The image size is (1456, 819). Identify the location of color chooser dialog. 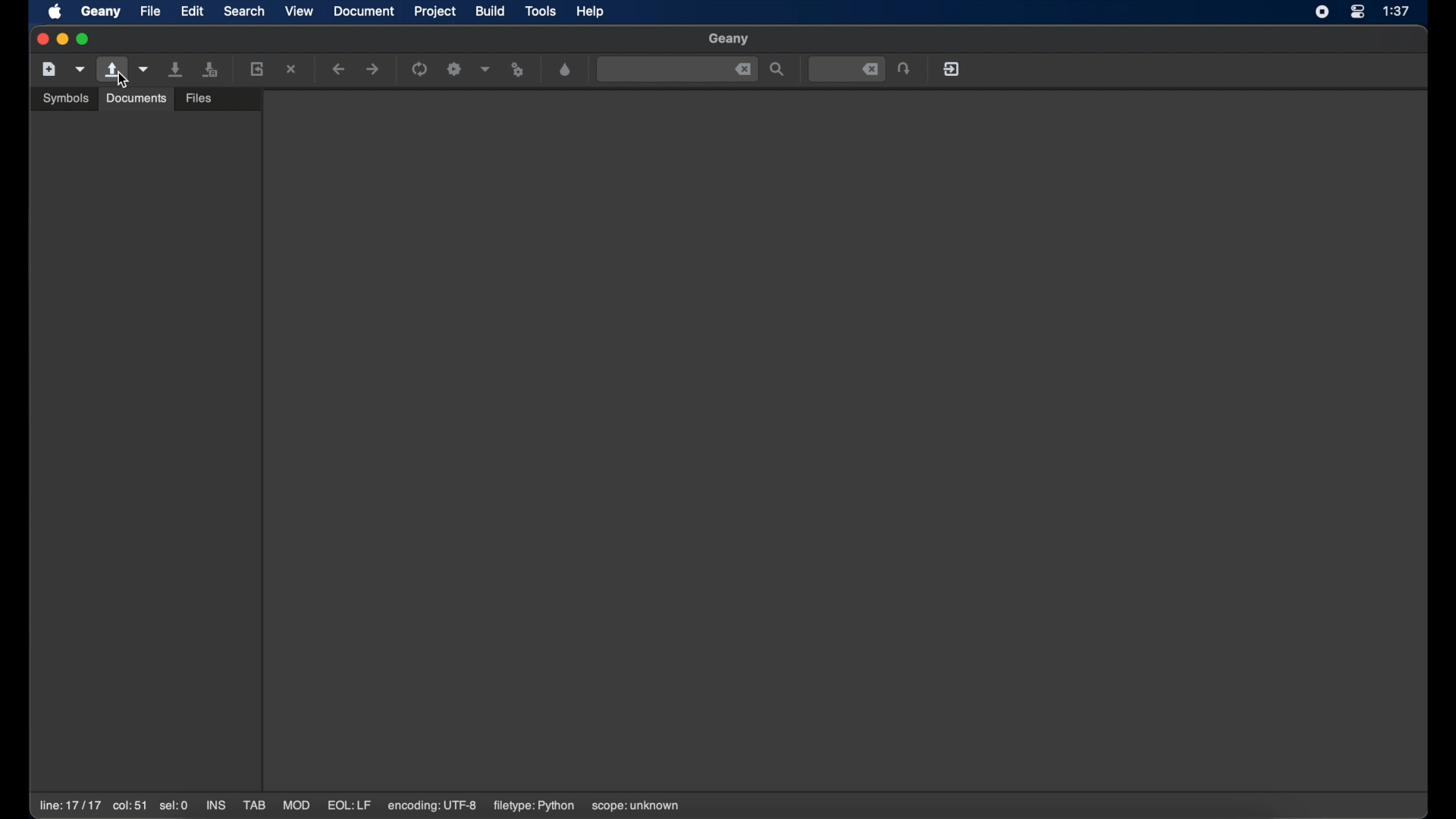
(565, 69).